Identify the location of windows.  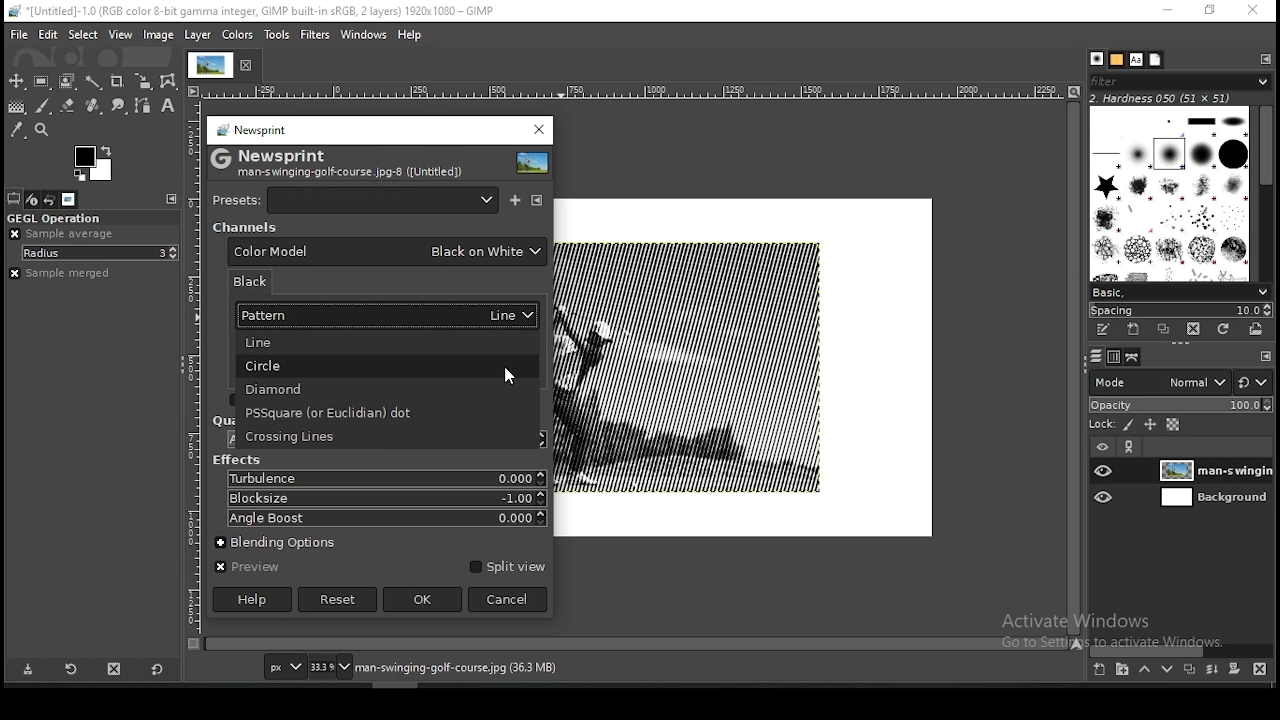
(364, 35).